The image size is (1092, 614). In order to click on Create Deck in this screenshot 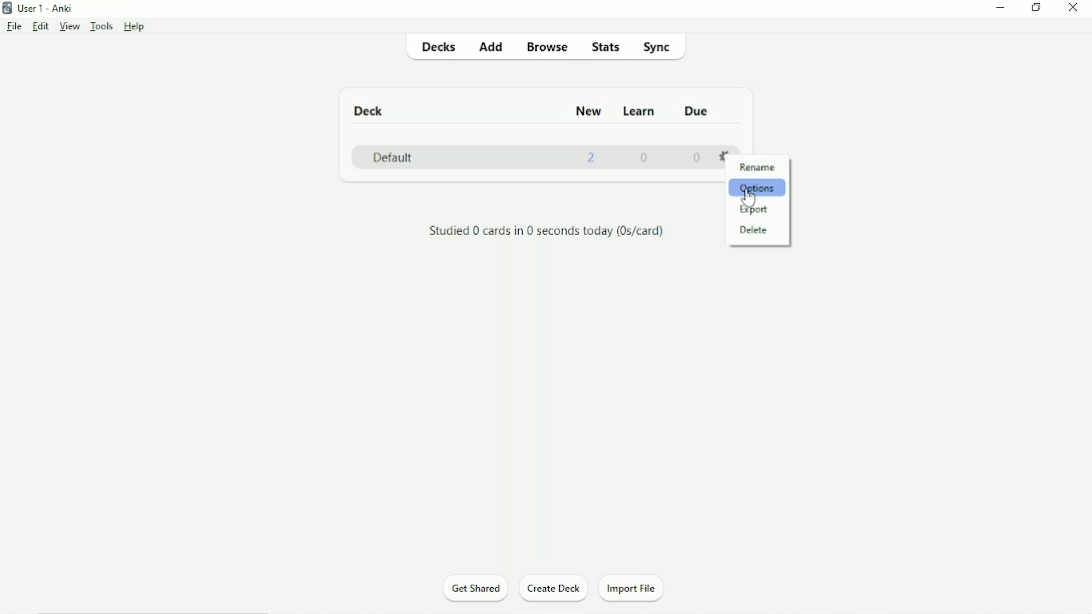, I will do `click(554, 589)`.